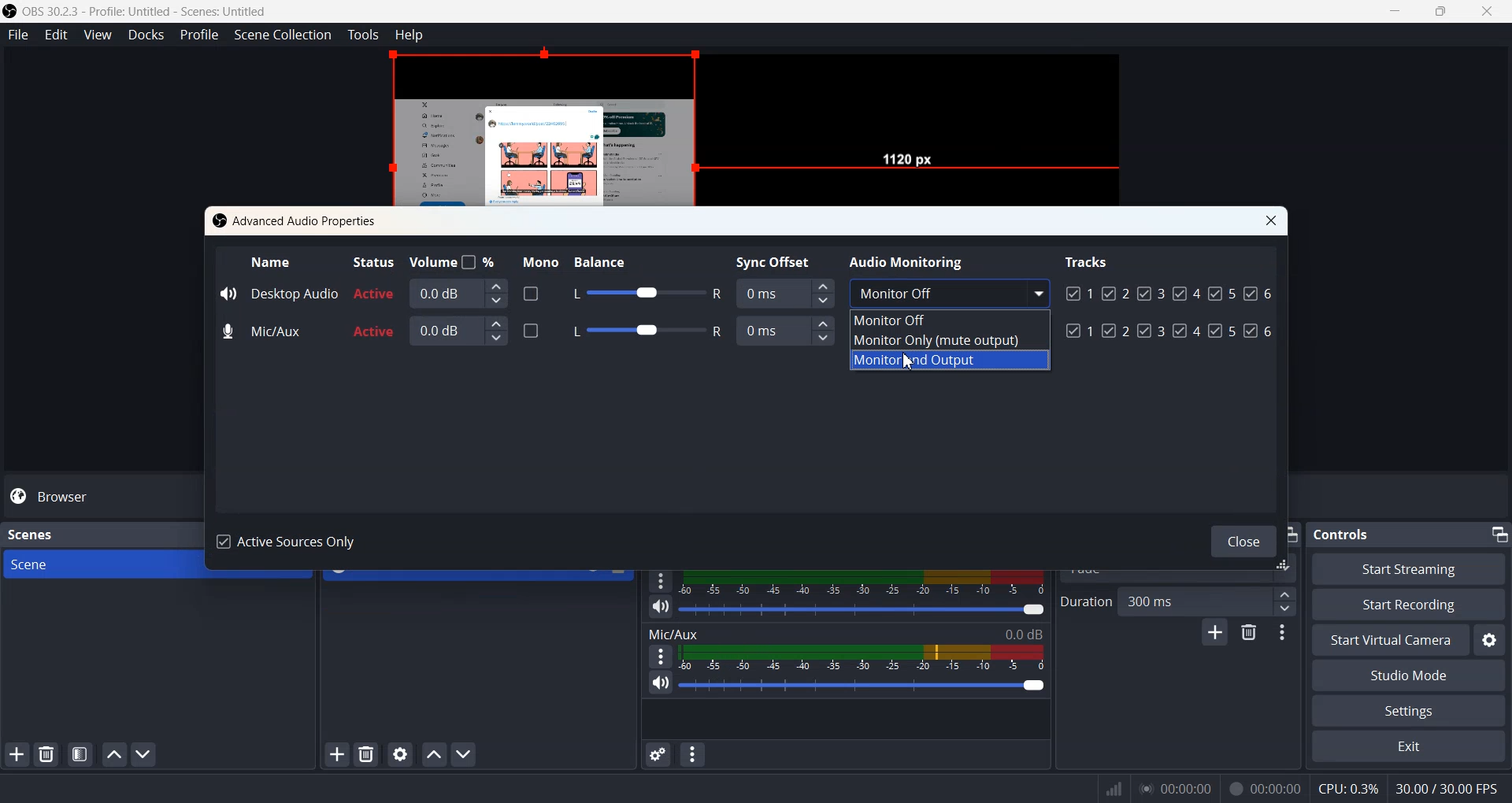 This screenshot has height=803, width=1512. Describe the element at coordinates (278, 292) in the screenshot. I see `Desktop Audio ` at that location.